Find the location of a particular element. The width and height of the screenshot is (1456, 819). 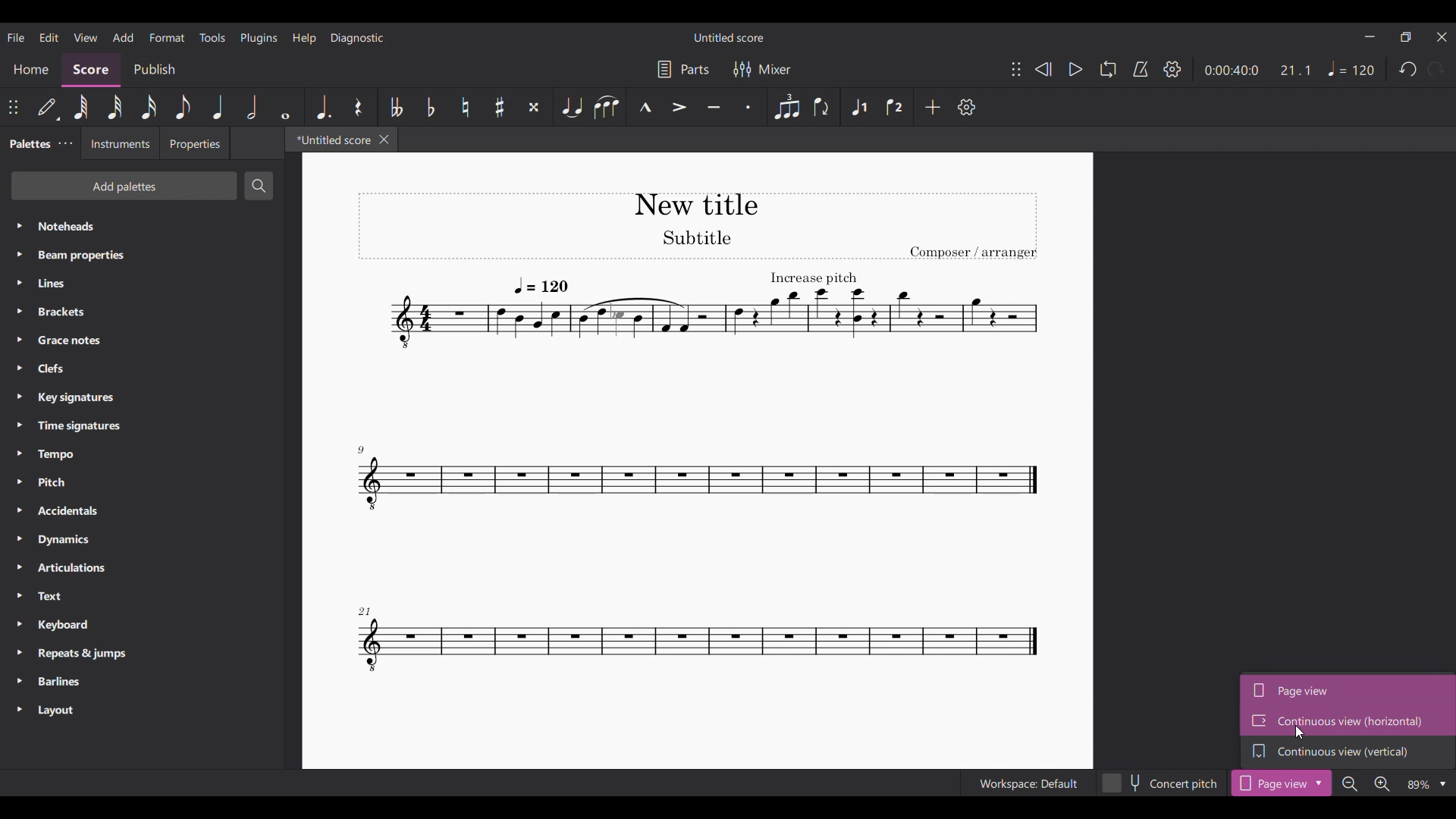

Plugins menu is located at coordinates (259, 38).